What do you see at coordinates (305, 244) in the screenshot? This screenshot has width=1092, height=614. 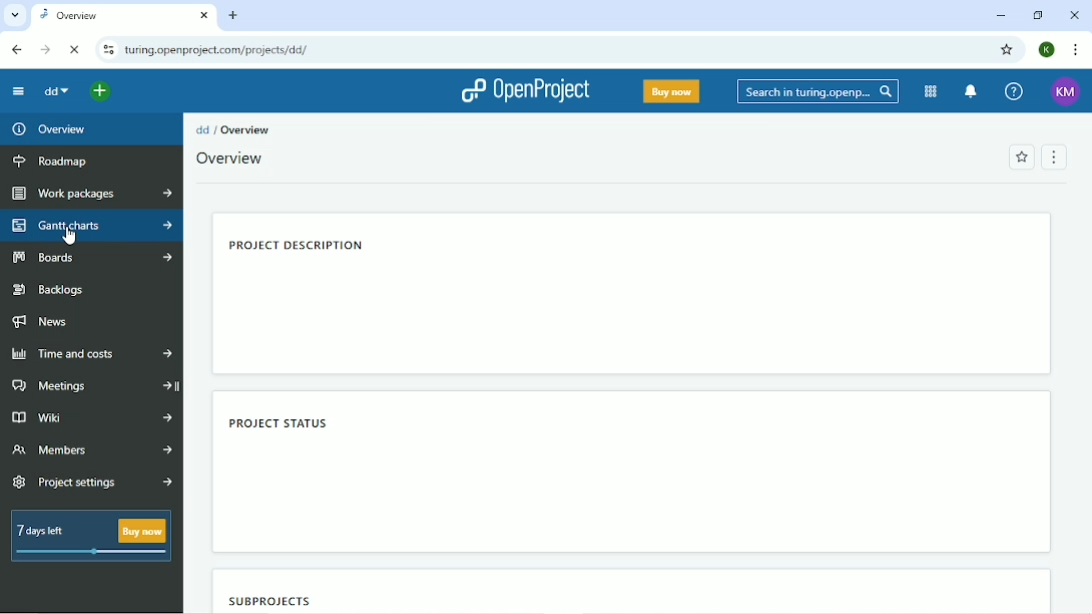 I see `Project description` at bounding box center [305, 244].